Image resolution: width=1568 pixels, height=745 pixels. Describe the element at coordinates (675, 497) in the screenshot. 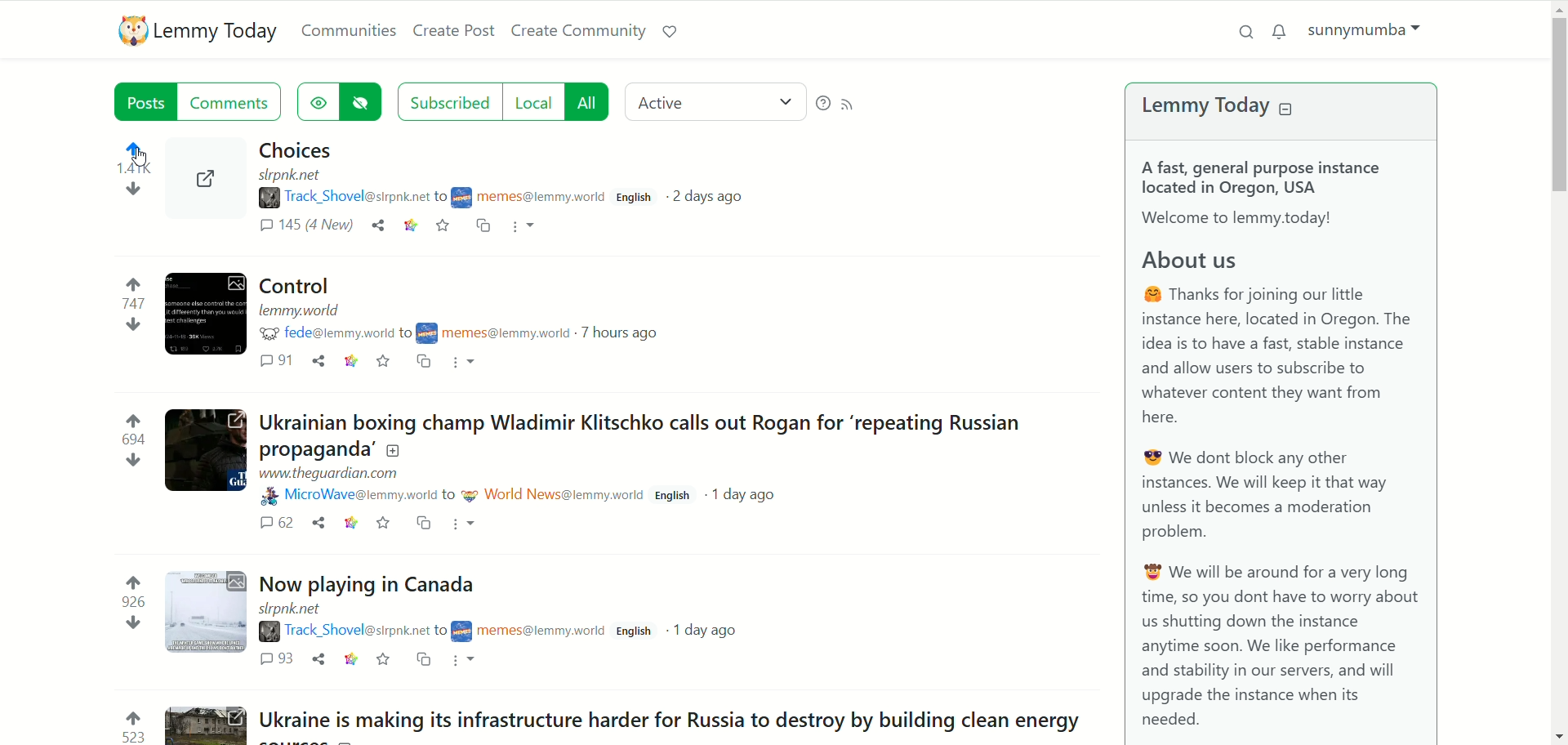

I see `d English` at that location.